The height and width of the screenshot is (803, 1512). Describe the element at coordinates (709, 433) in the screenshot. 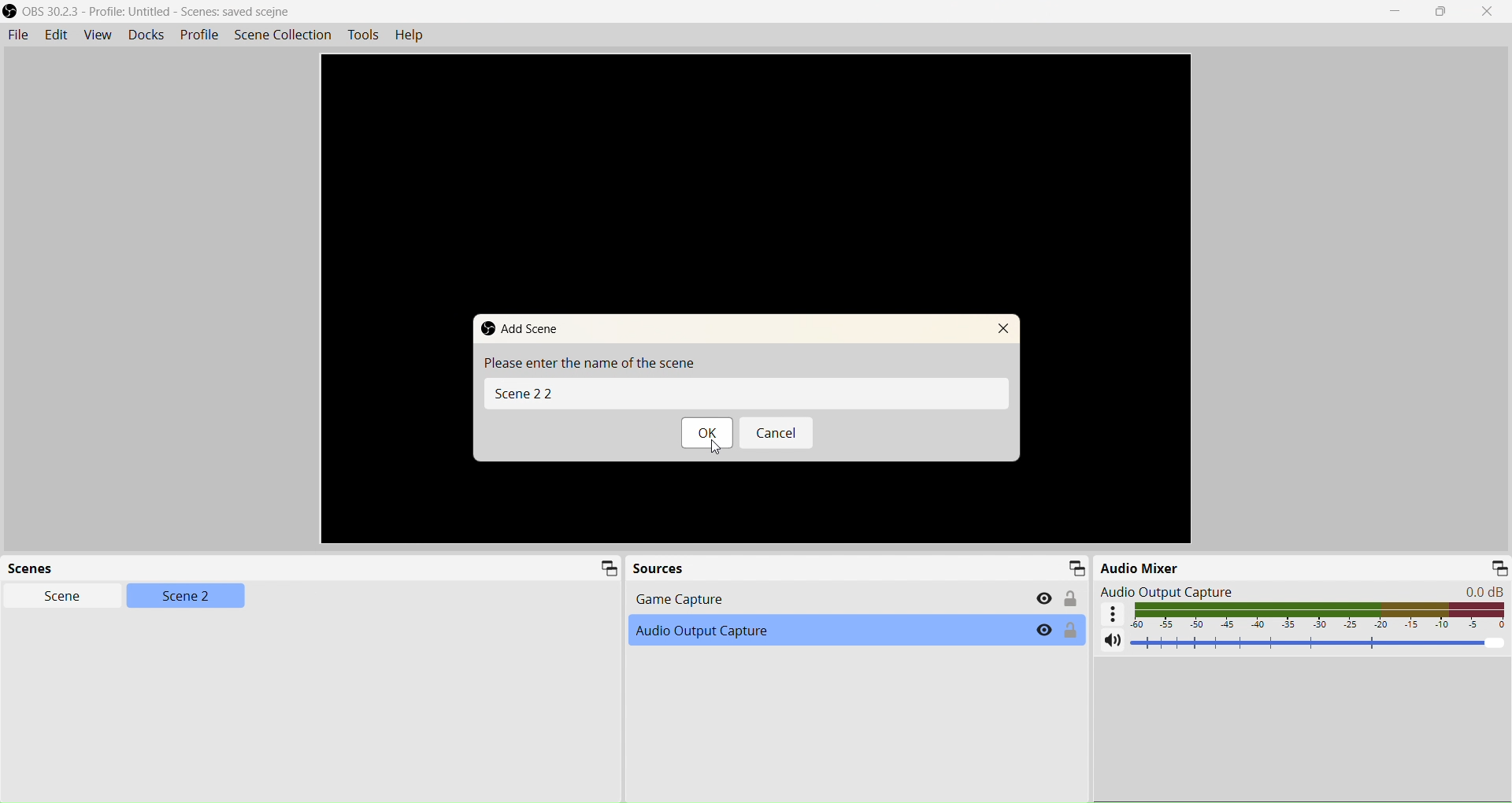

I see `OK` at that location.